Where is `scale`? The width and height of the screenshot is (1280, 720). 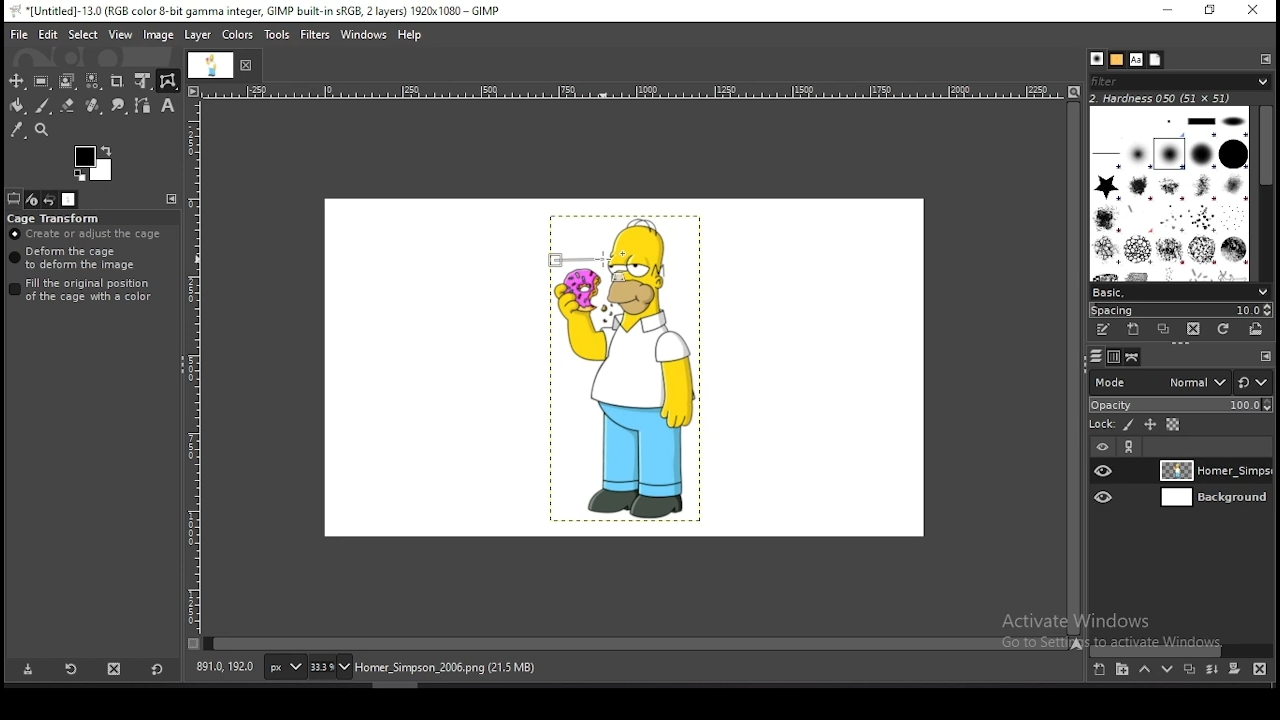
scale is located at coordinates (193, 372).